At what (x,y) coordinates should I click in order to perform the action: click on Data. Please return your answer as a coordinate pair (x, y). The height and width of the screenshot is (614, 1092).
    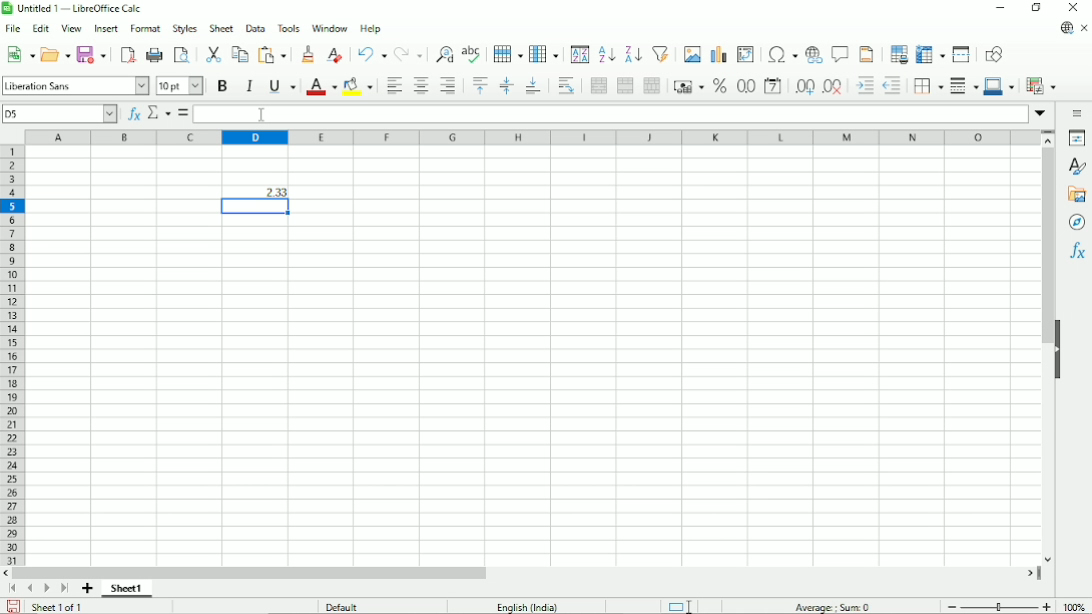
    Looking at the image, I should click on (256, 28).